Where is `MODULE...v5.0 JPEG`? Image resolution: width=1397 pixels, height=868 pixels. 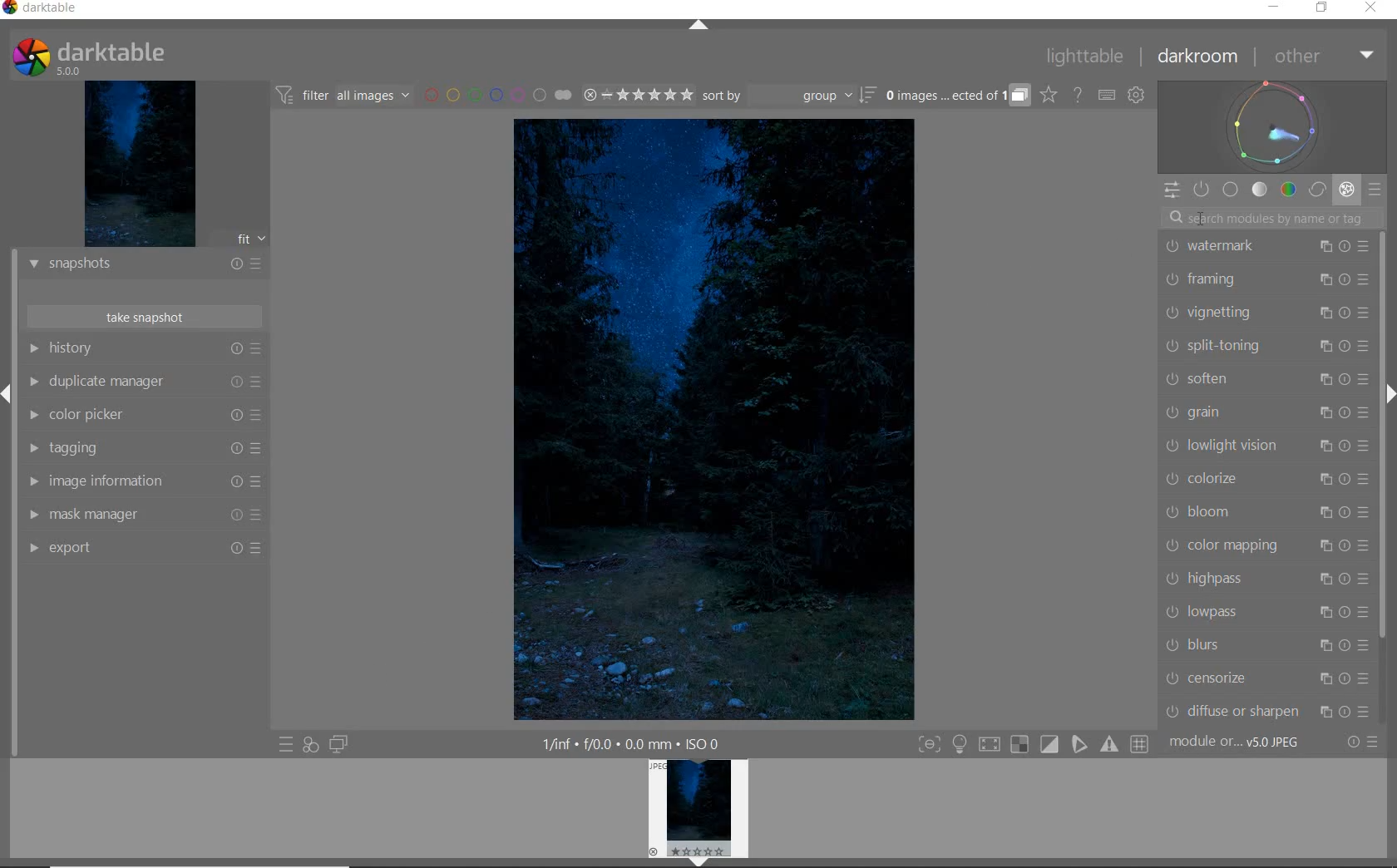 MODULE...v5.0 JPEG is located at coordinates (1235, 744).